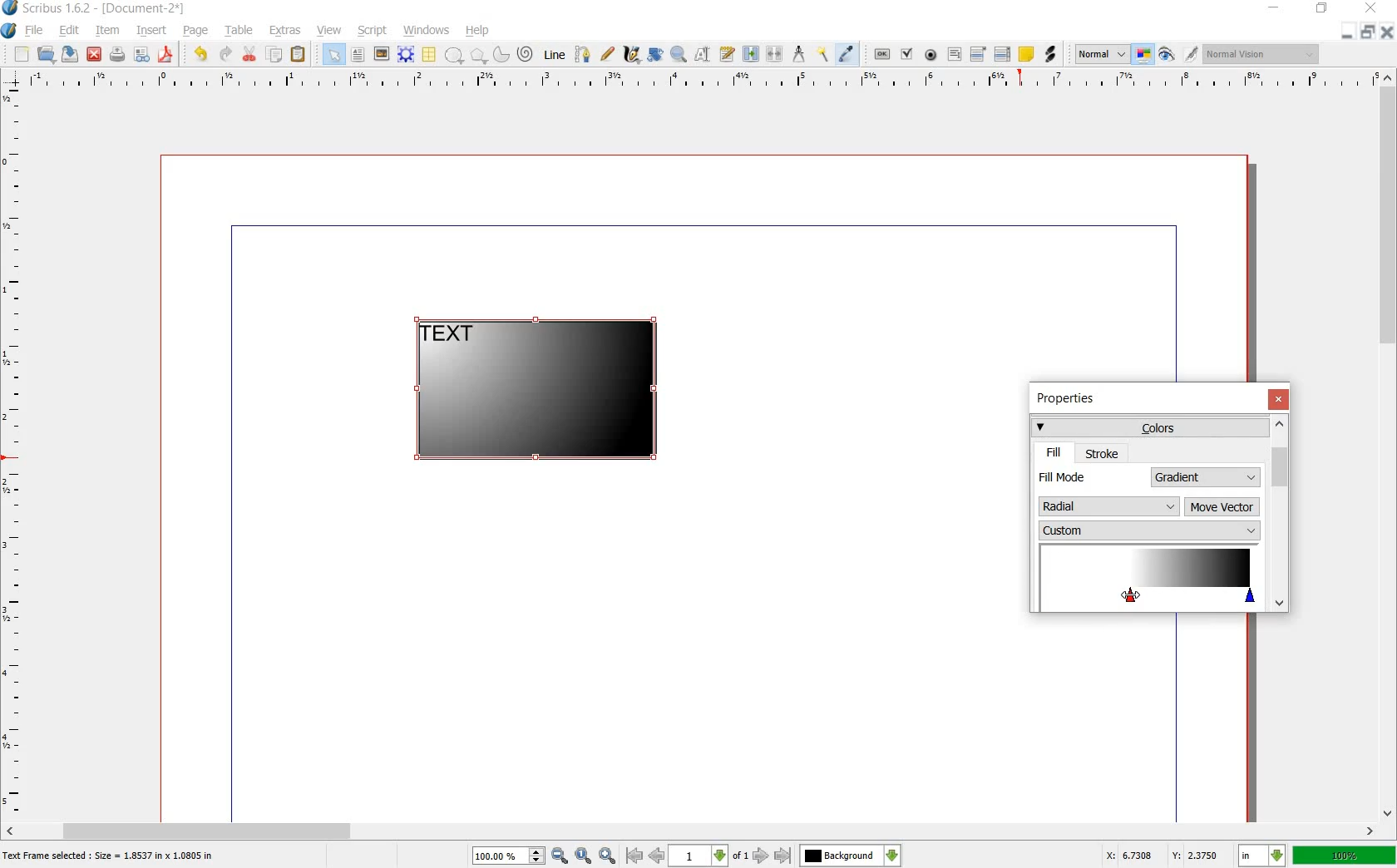 This screenshot has width=1397, height=868. What do you see at coordinates (776, 55) in the screenshot?
I see `unlink text frame` at bounding box center [776, 55].